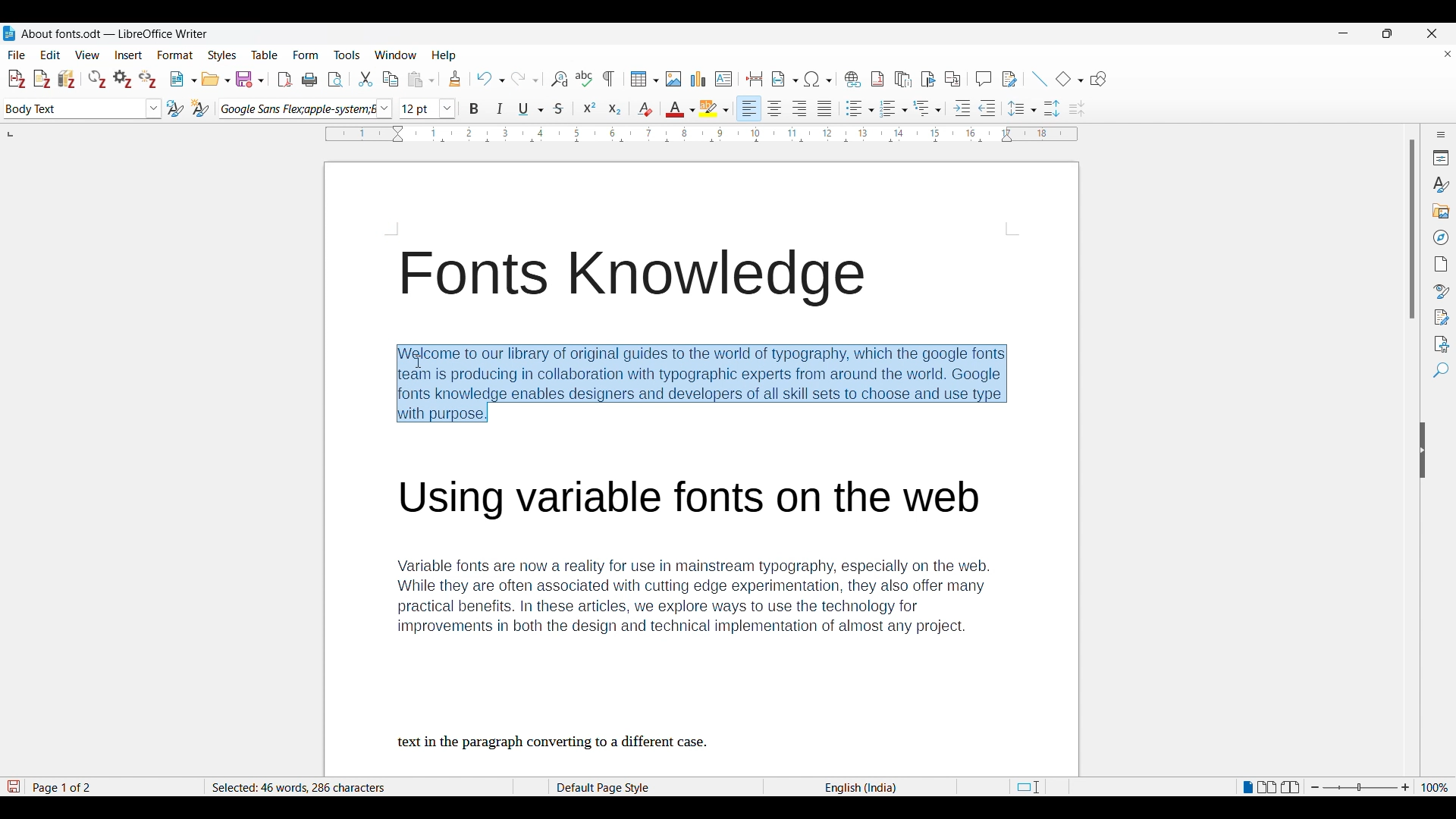 This screenshot has width=1456, height=819. I want to click on Increase paragraph spacing, so click(1052, 108).